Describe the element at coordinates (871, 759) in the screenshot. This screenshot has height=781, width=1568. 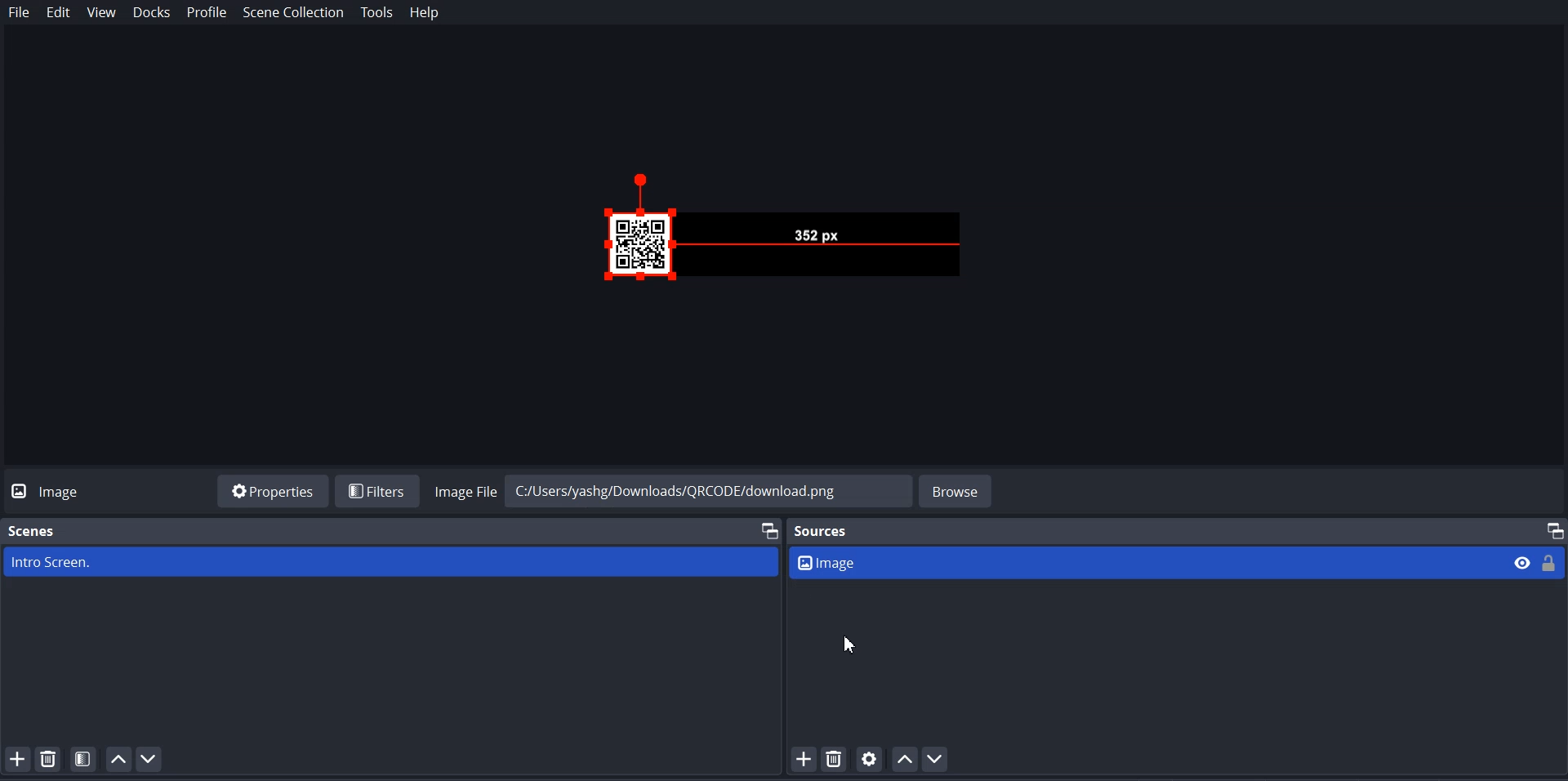
I see `Open Source Properties` at that location.